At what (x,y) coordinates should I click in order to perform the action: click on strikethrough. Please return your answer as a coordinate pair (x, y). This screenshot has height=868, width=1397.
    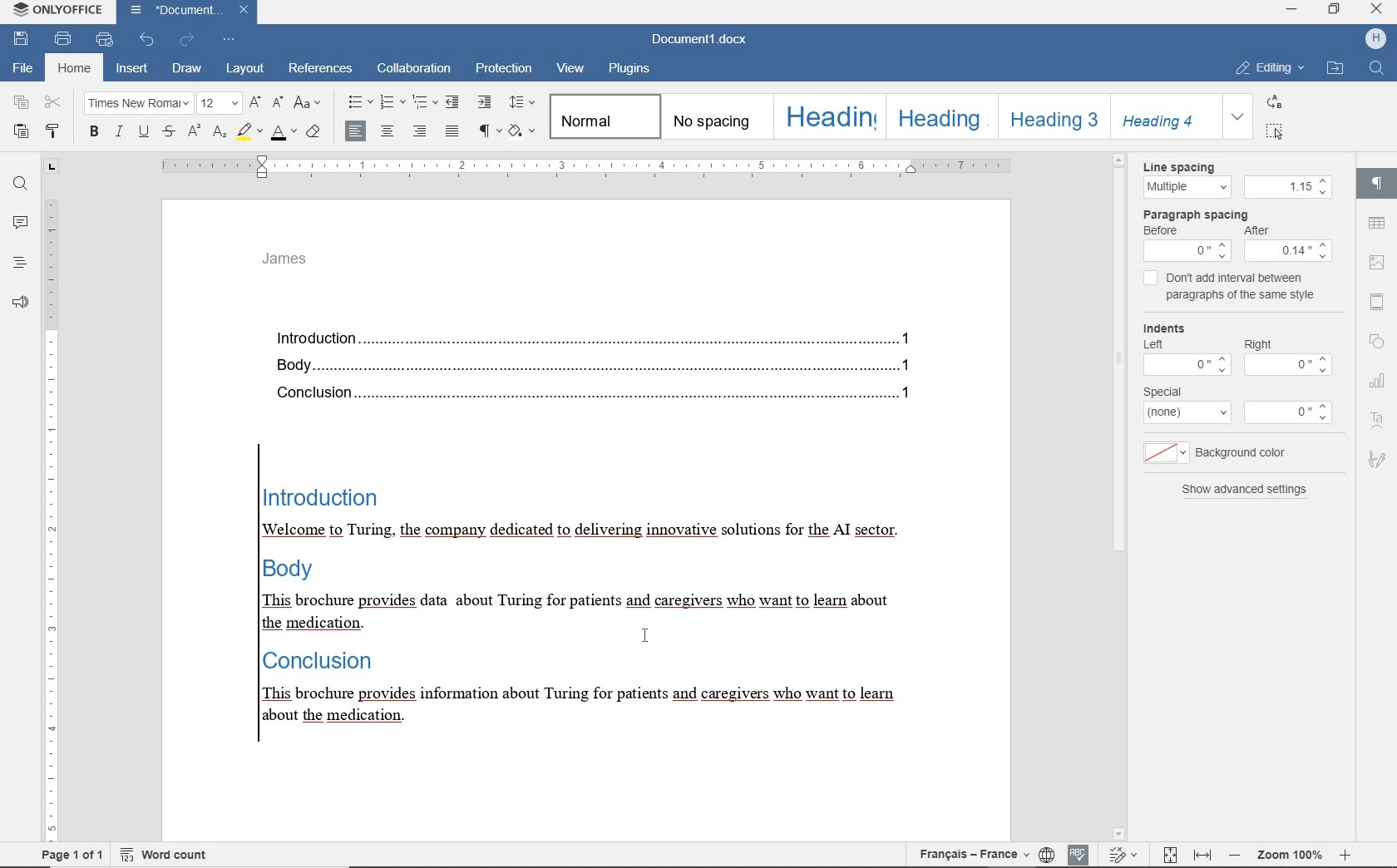
    Looking at the image, I should click on (171, 132).